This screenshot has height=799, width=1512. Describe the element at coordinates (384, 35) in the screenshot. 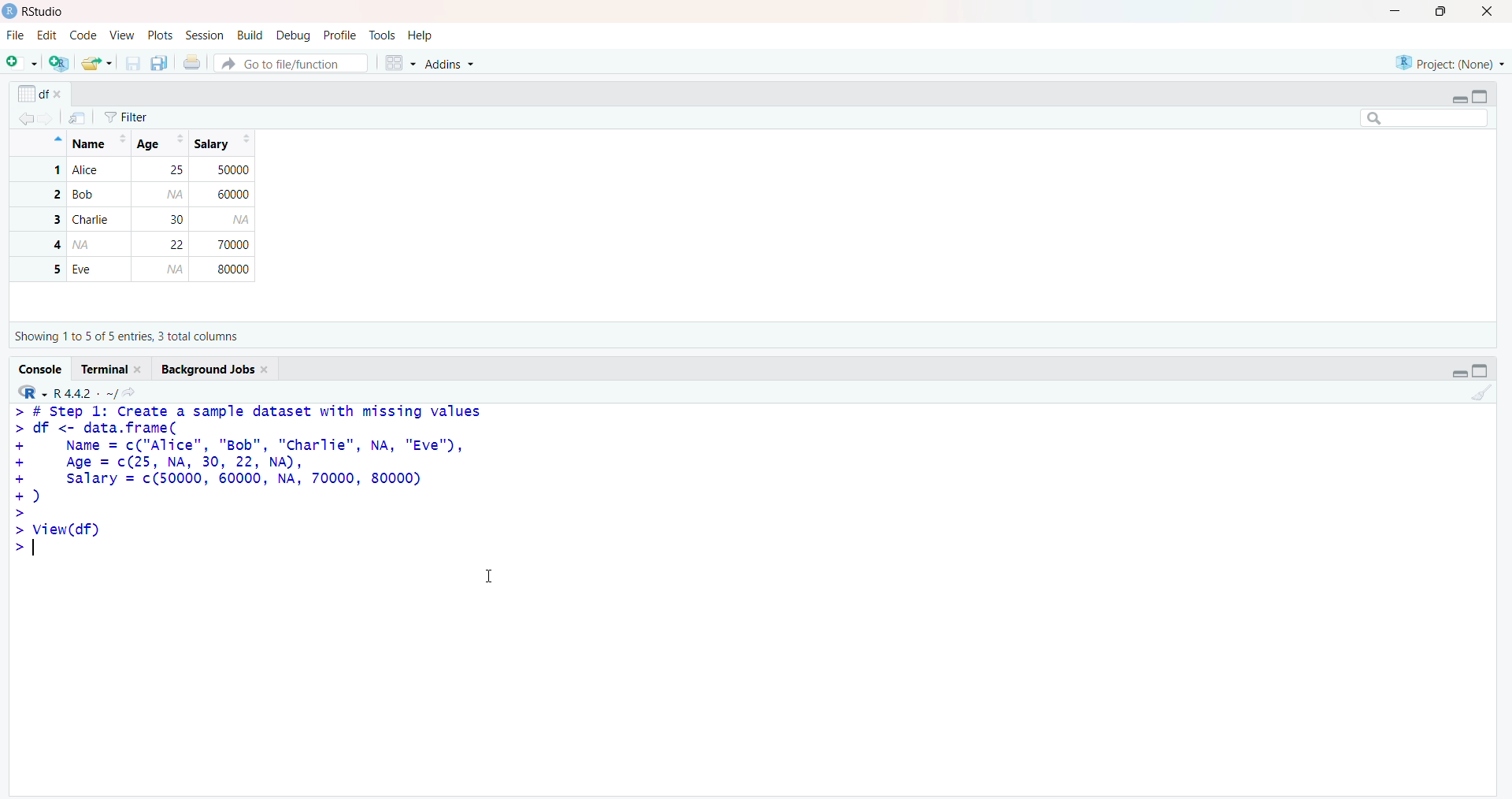

I see `Tools` at that location.